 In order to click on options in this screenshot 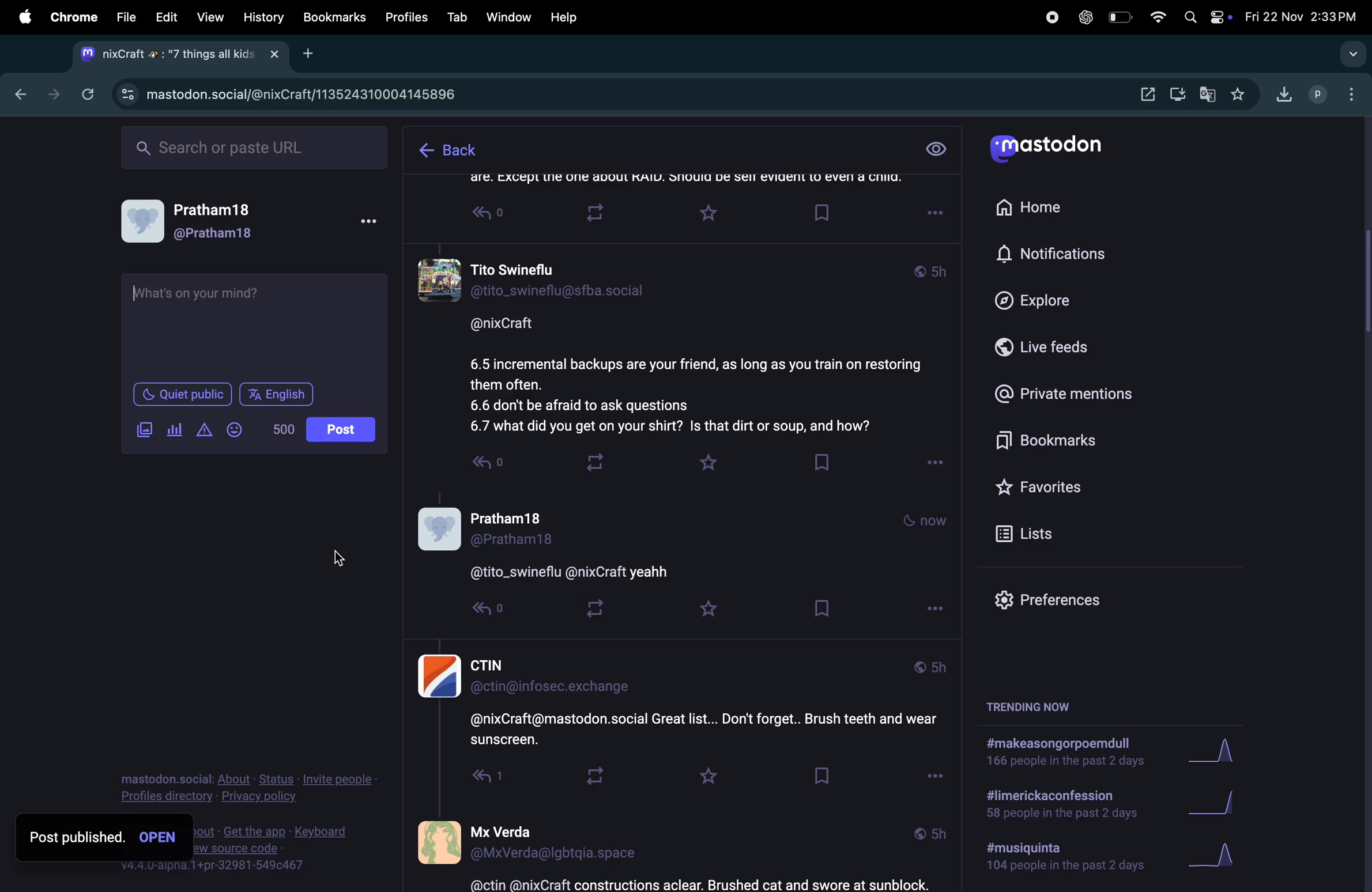, I will do `click(934, 777)`.